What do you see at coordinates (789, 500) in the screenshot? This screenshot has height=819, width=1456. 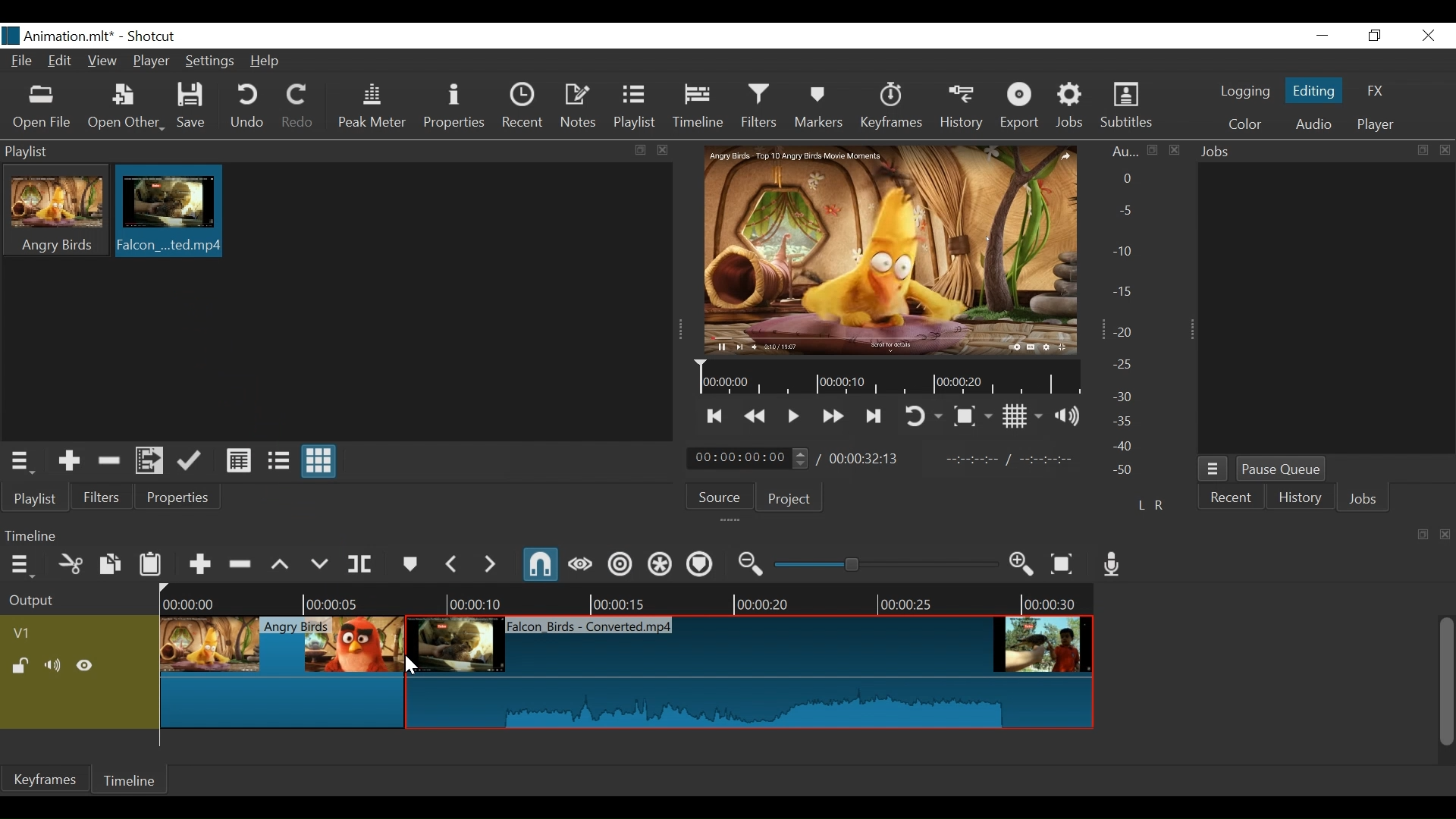 I see `Project` at bounding box center [789, 500].